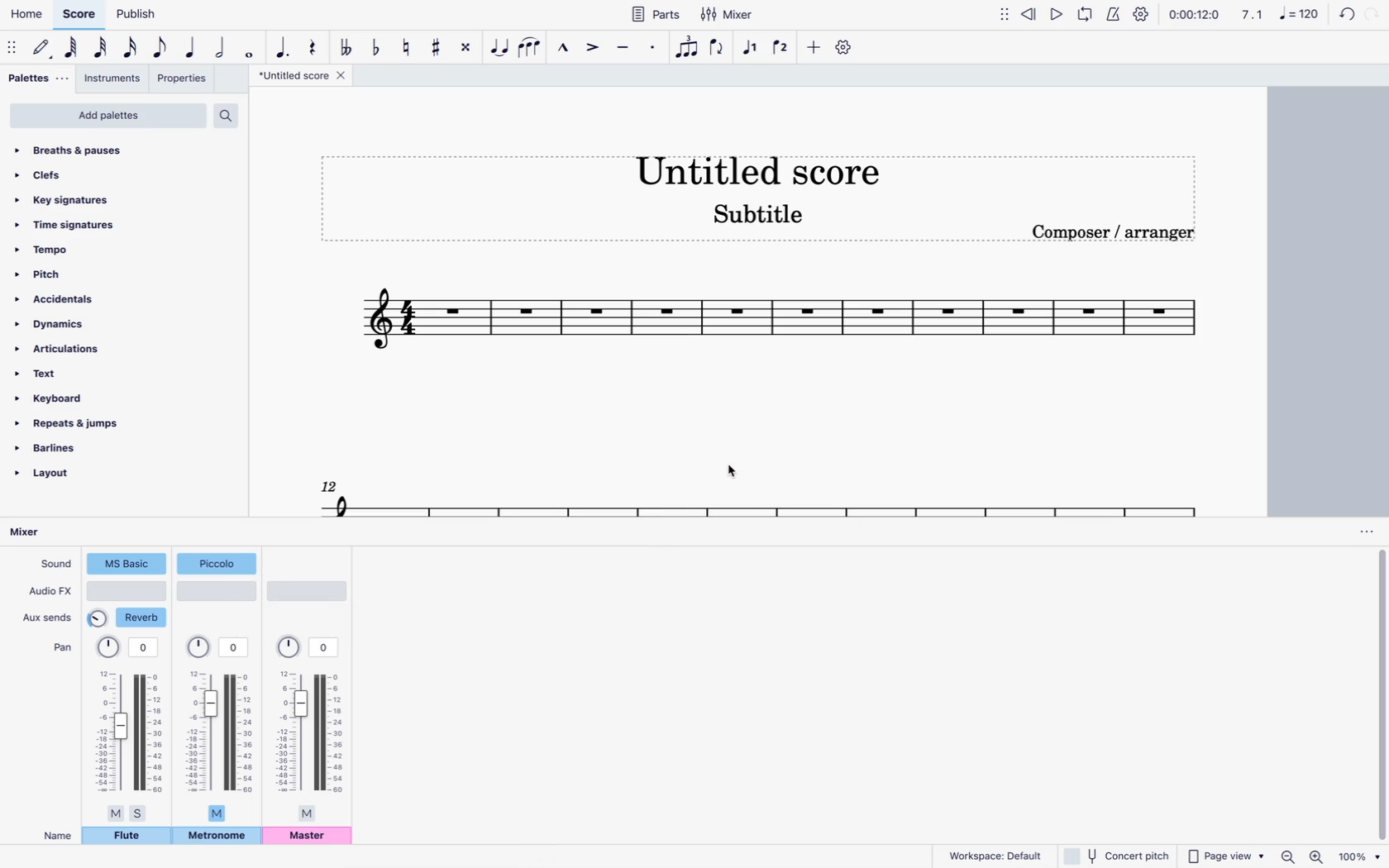  What do you see at coordinates (129, 618) in the screenshot?
I see `reverb` at bounding box center [129, 618].